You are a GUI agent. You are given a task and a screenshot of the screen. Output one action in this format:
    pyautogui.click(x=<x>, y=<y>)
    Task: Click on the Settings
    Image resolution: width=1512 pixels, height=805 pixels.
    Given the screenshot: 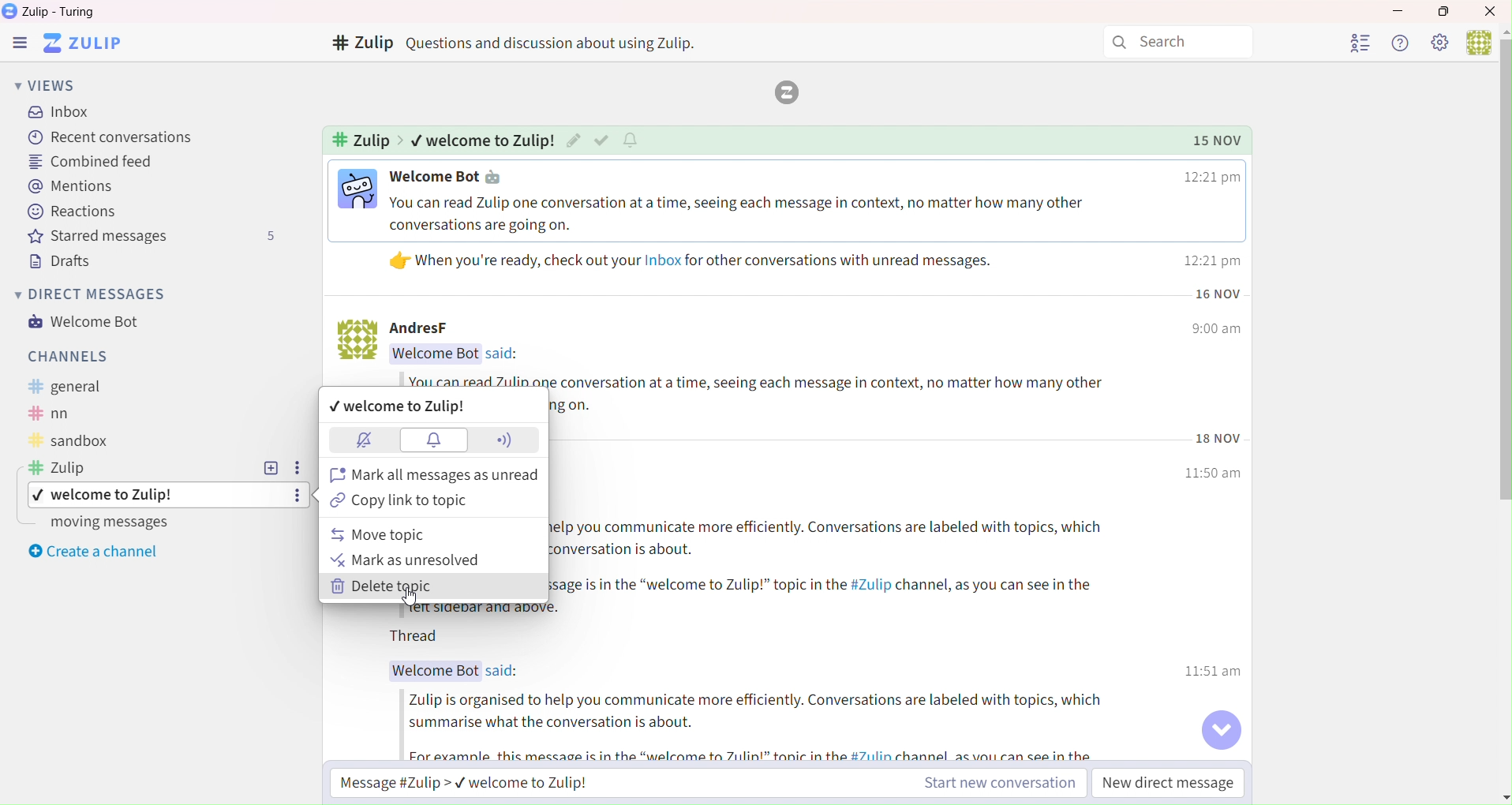 What is the action you would take?
    pyautogui.click(x=295, y=469)
    